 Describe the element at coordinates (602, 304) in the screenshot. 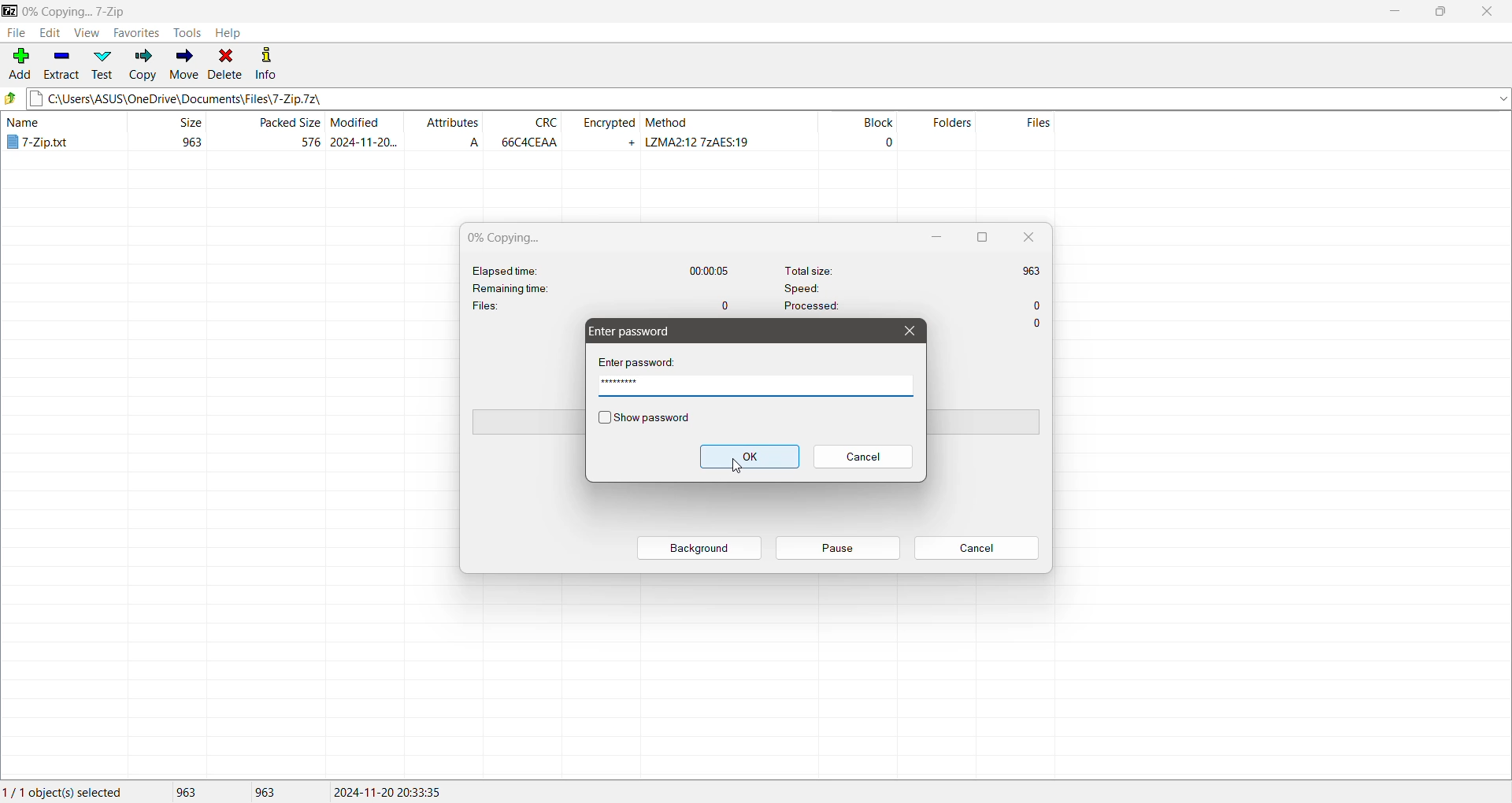

I see `Files` at that location.